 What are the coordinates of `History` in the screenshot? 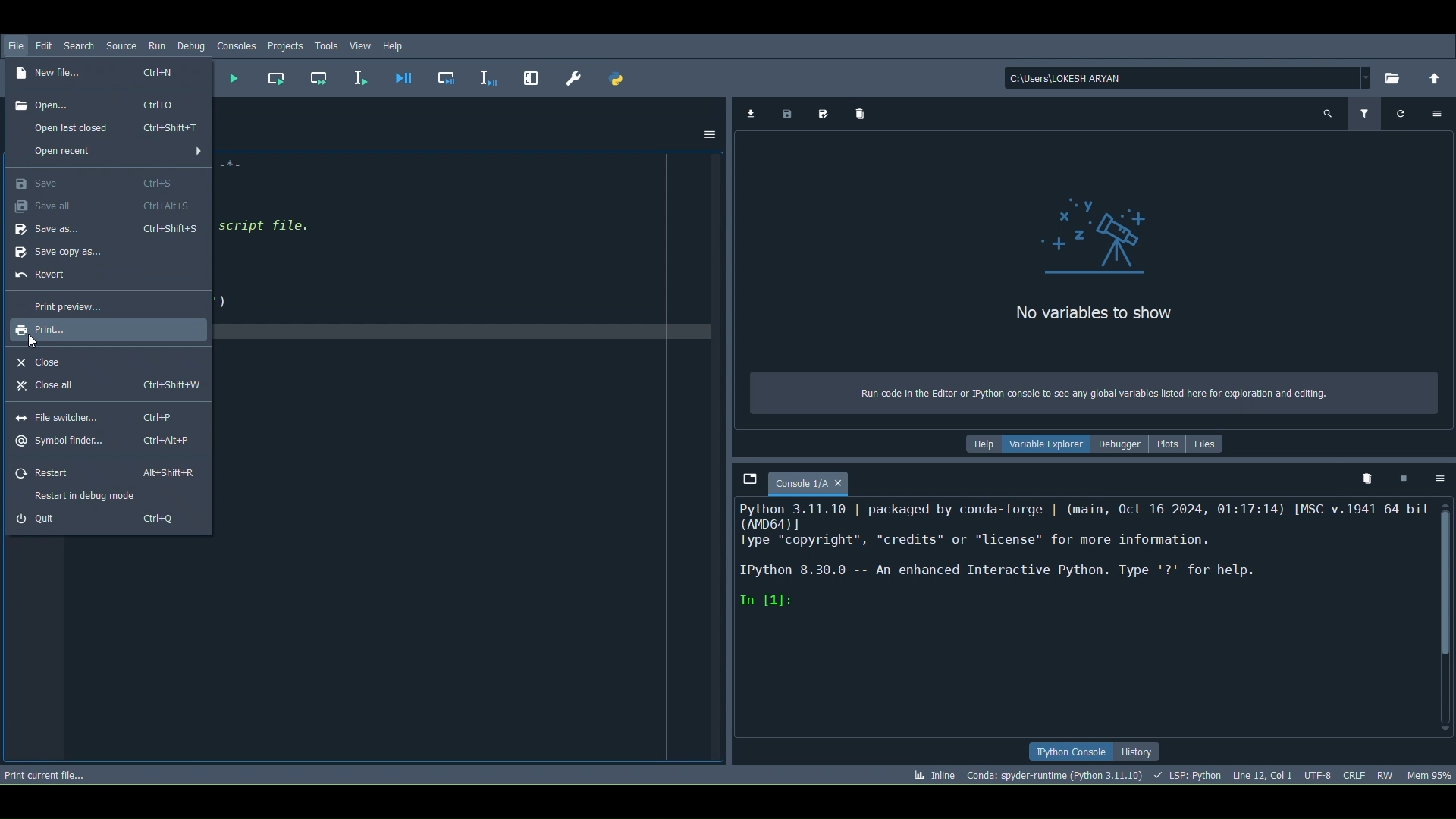 It's located at (1141, 754).